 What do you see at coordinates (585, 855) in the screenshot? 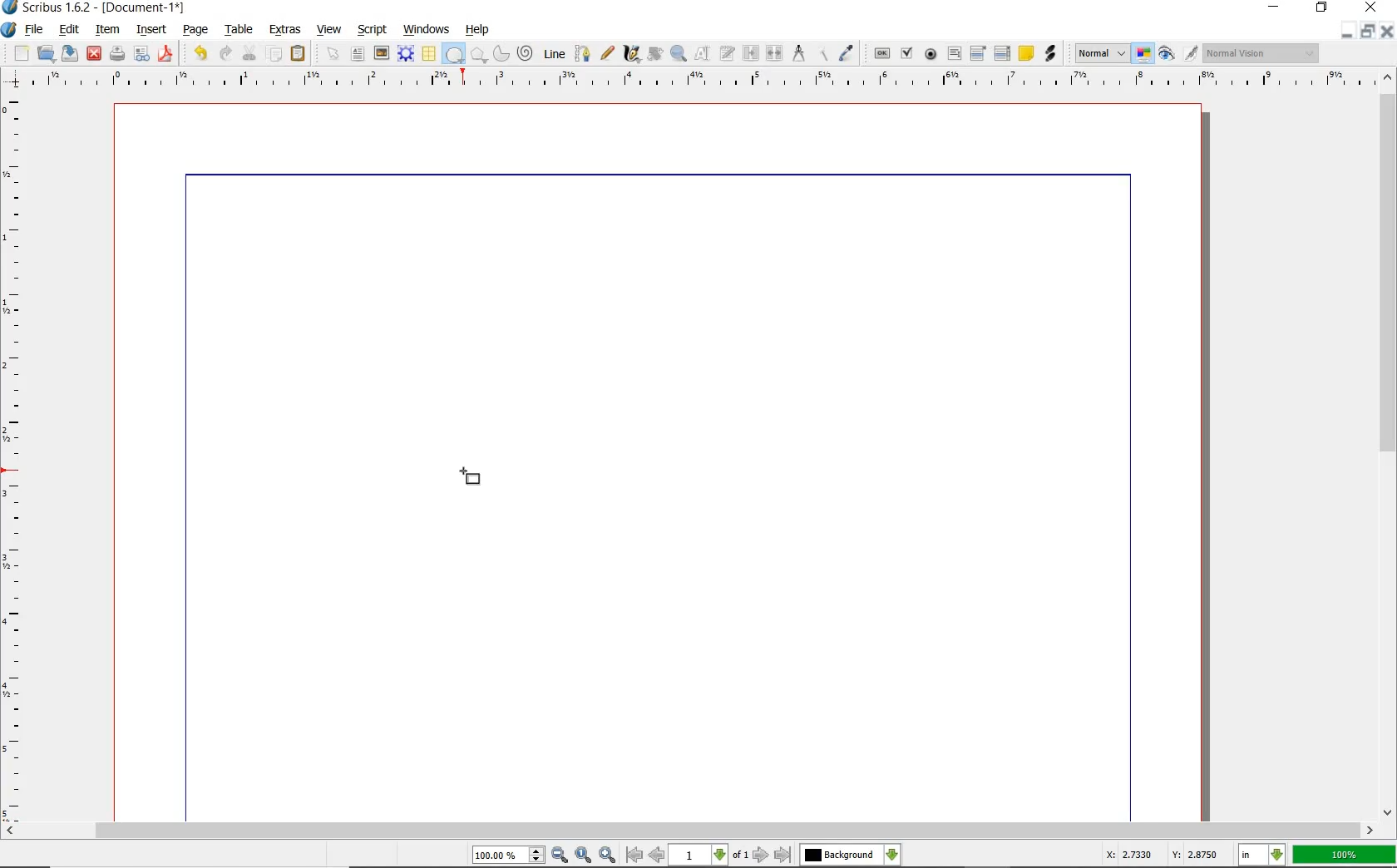
I see `zoom to` at bounding box center [585, 855].